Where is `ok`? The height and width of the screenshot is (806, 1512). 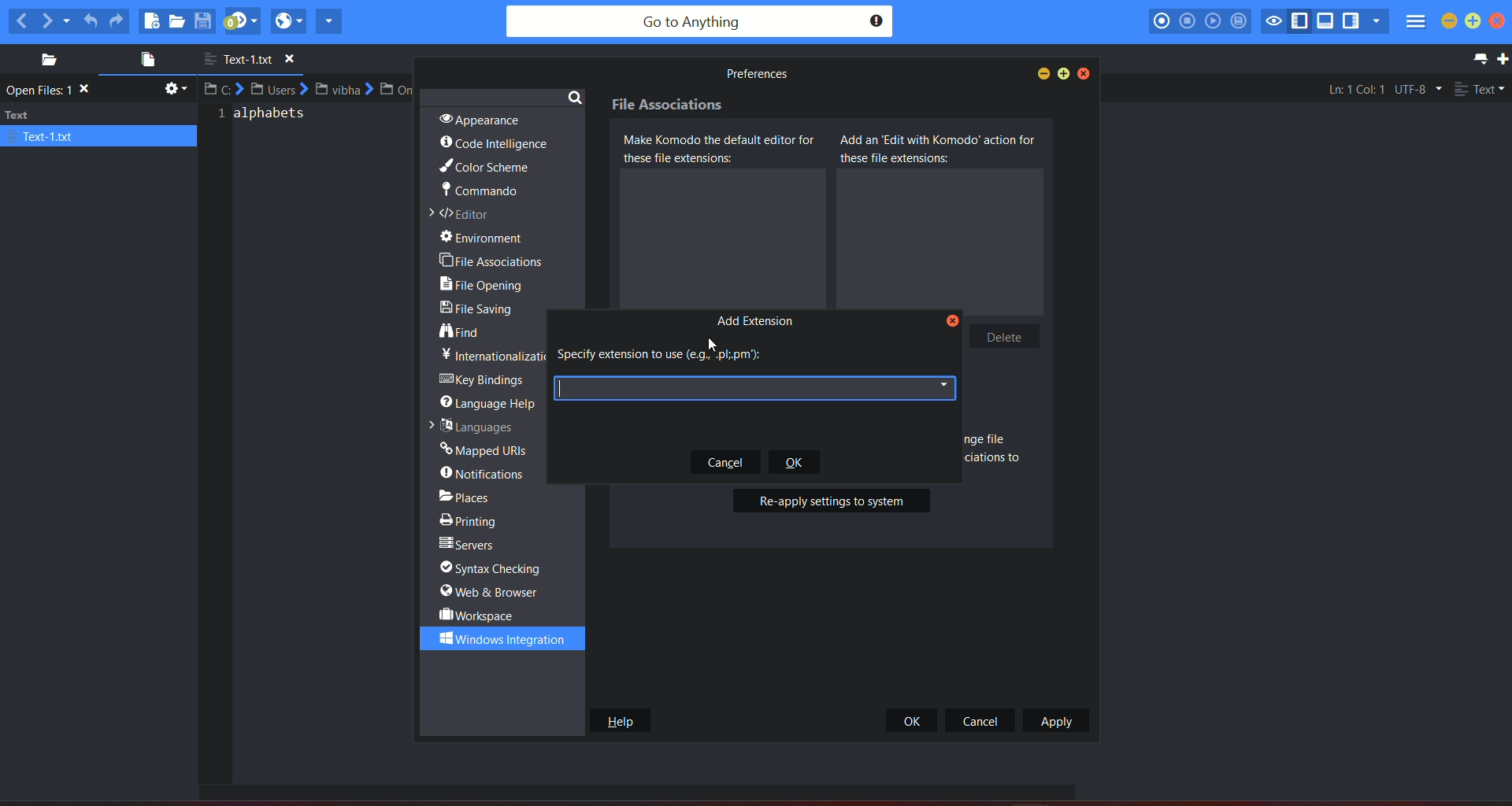 ok is located at coordinates (913, 720).